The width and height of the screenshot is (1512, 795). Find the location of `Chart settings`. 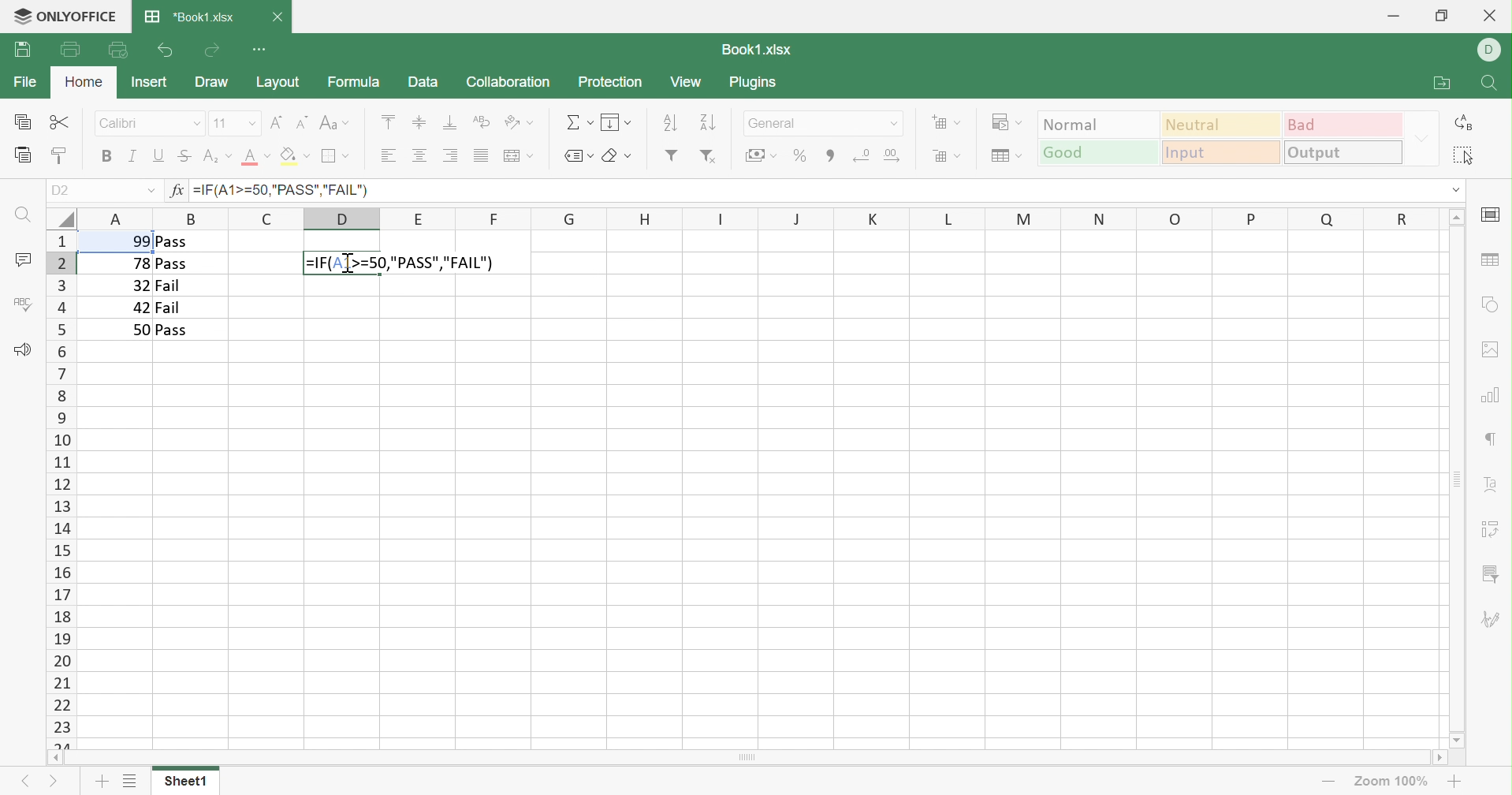

Chart settings is located at coordinates (1488, 393).